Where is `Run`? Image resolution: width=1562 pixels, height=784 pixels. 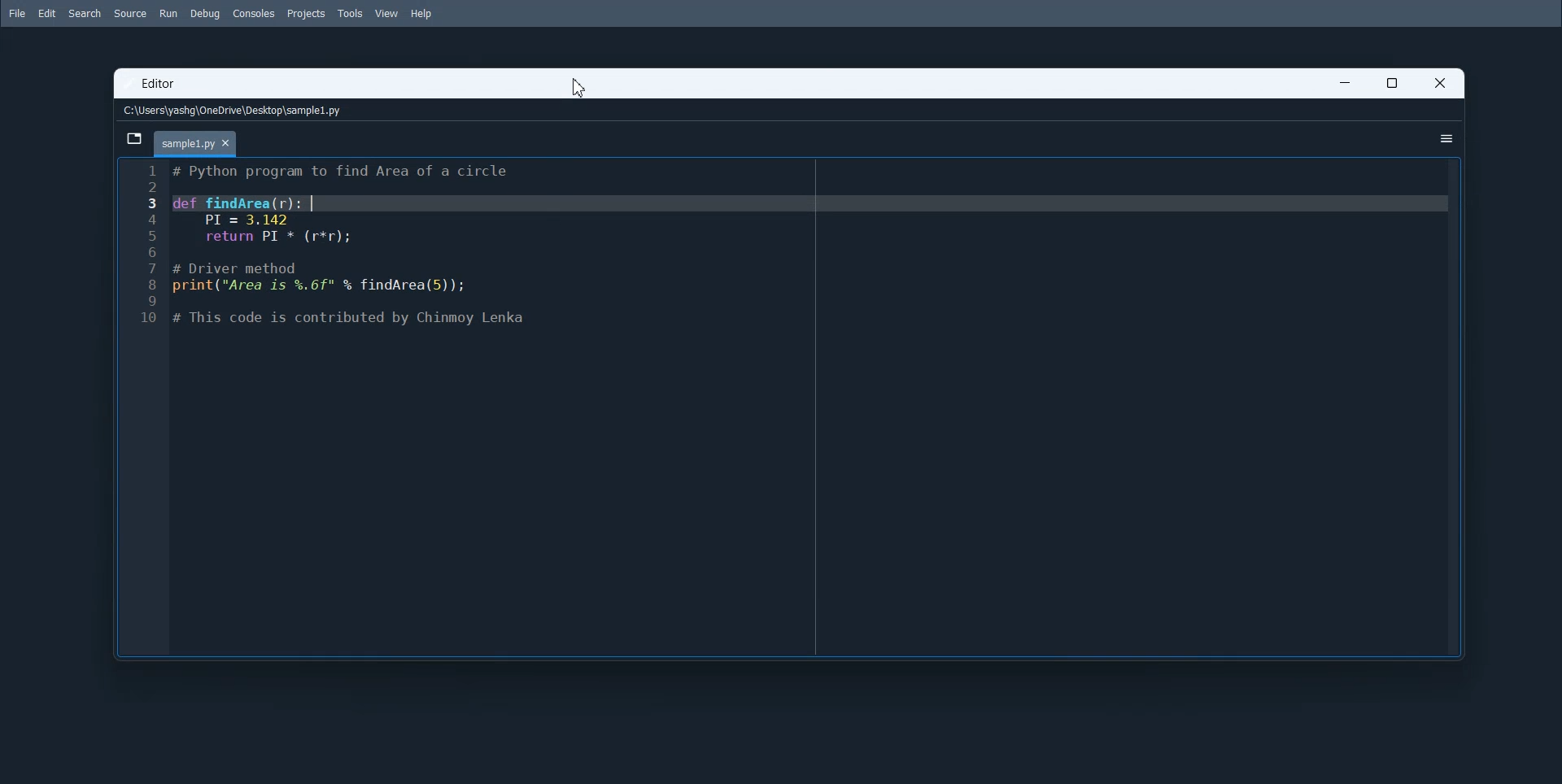 Run is located at coordinates (168, 13).